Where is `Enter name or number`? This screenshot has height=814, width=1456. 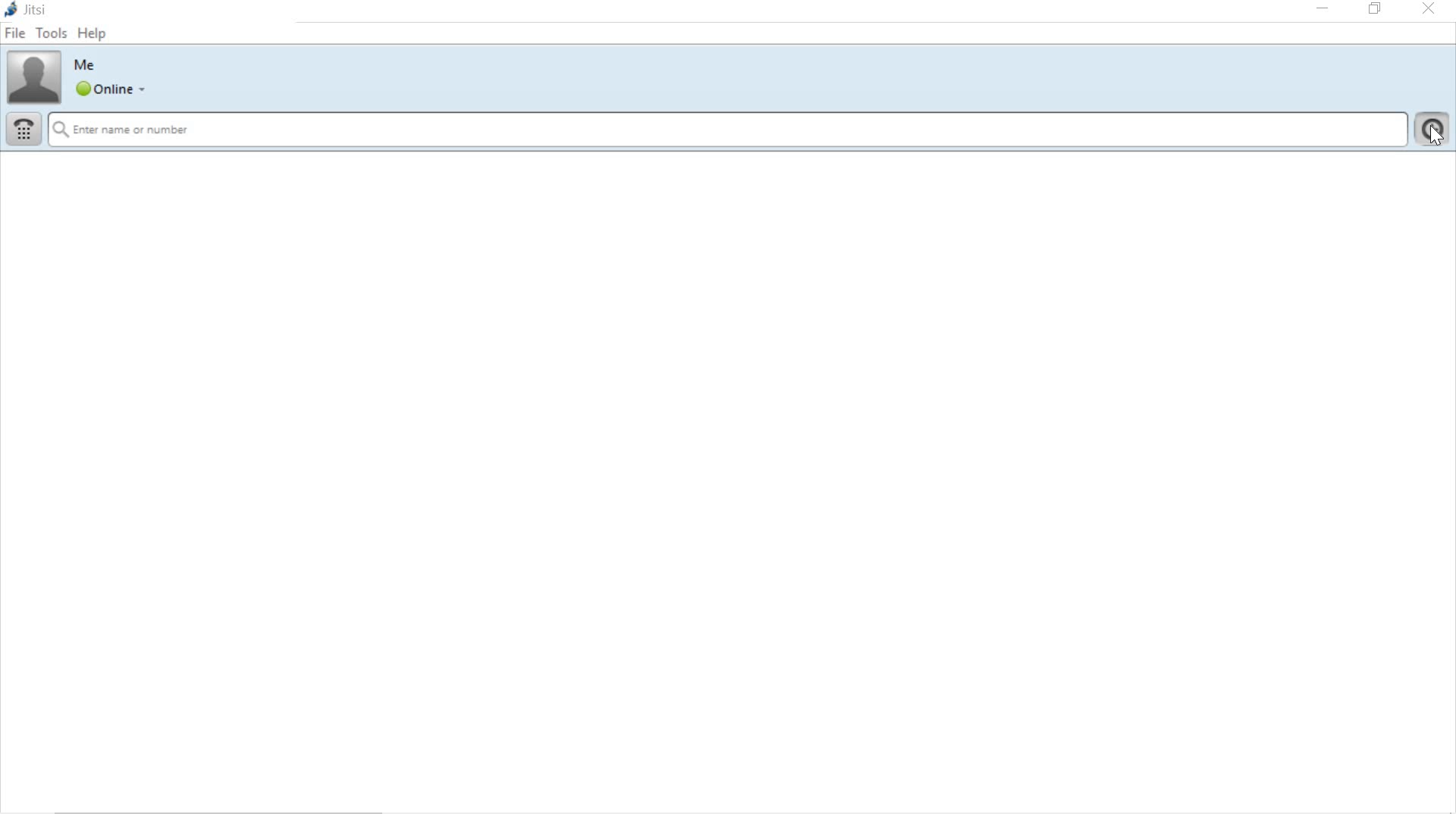 Enter name or number is located at coordinates (730, 130).